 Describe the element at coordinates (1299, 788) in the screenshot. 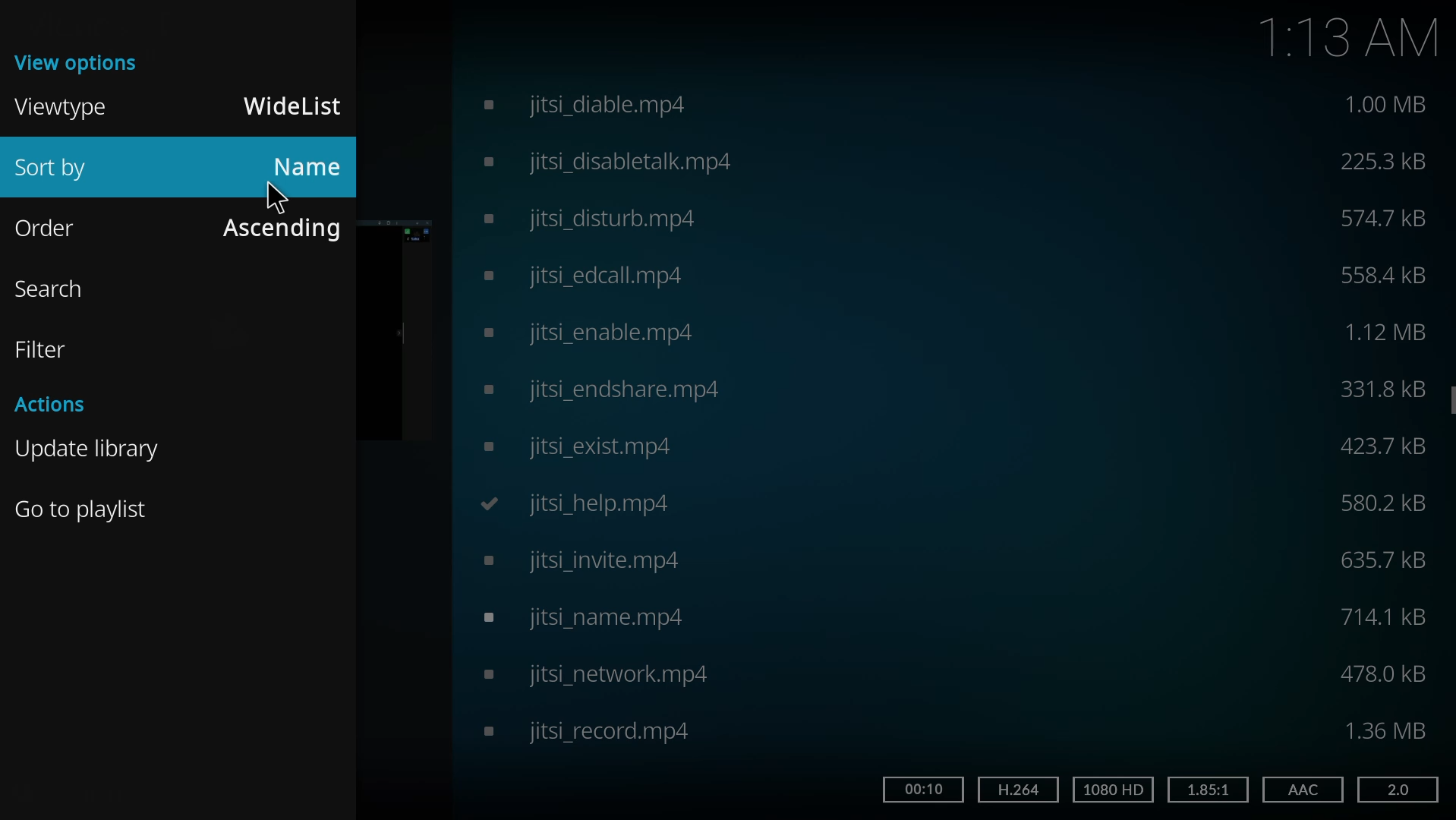

I see `aac` at that location.